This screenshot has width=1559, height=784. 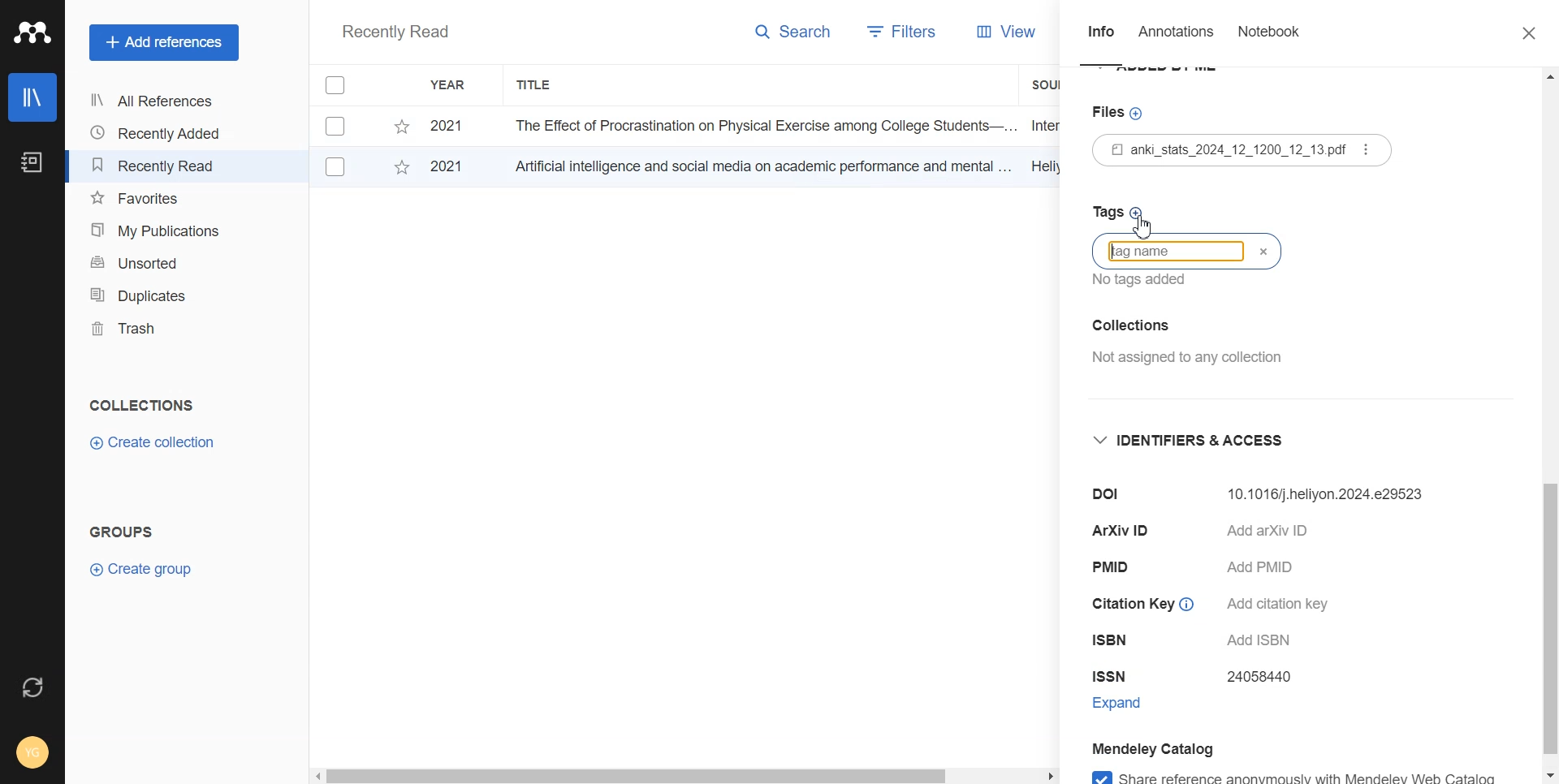 I want to click on Unsorted, so click(x=160, y=261).